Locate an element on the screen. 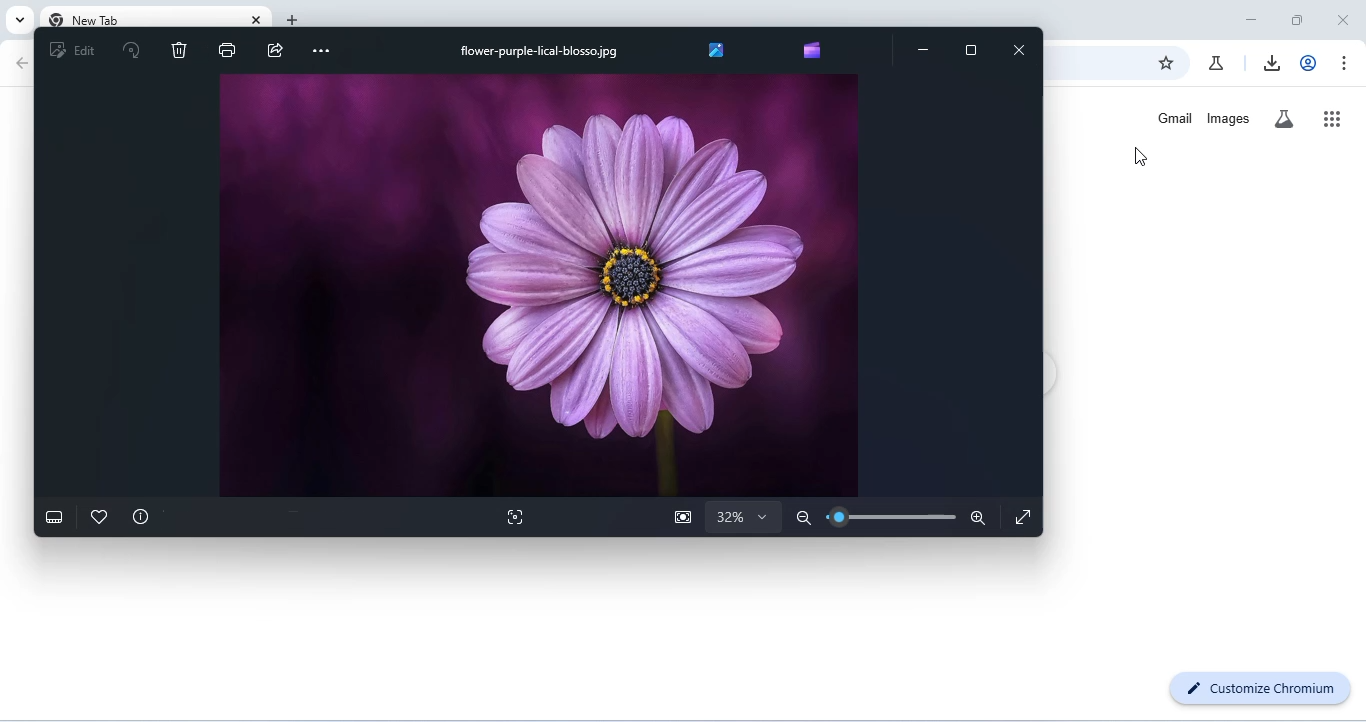 This screenshot has height=722, width=1366. maximize is located at coordinates (970, 50).